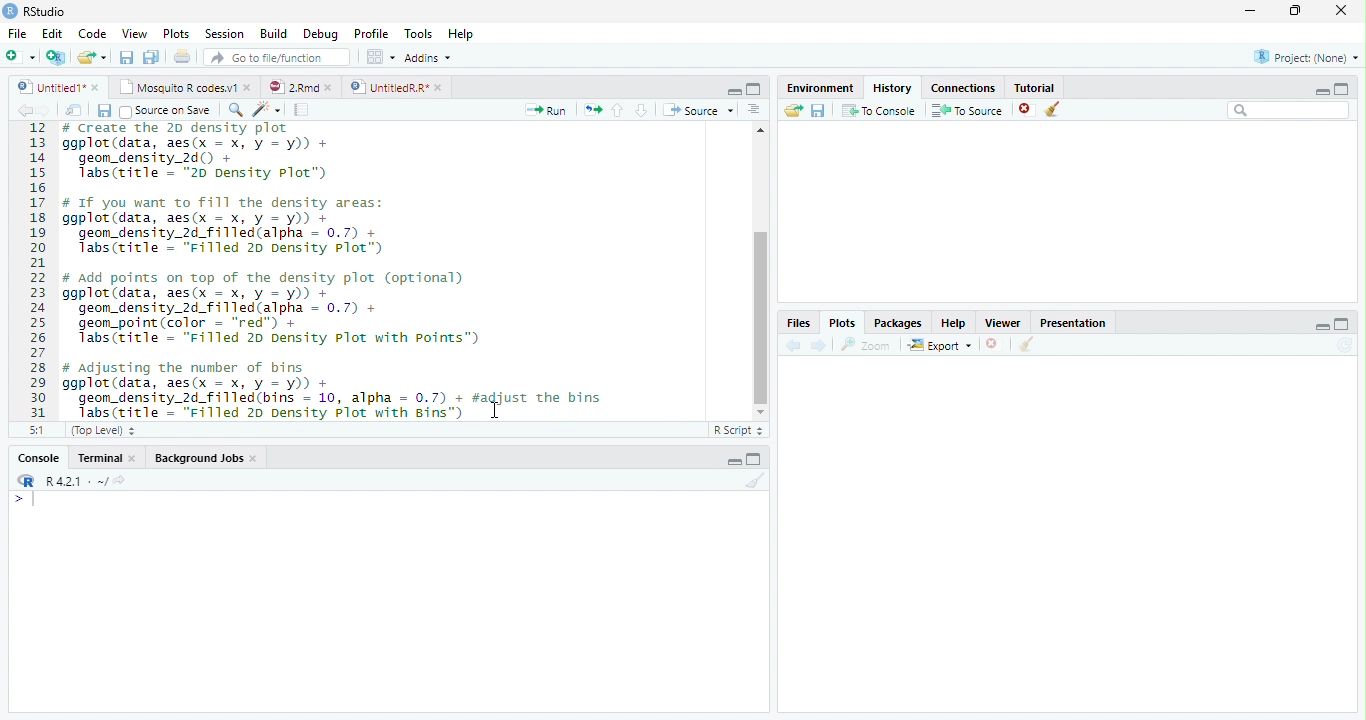 Image resolution: width=1366 pixels, height=720 pixels. What do you see at coordinates (754, 88) in the screenshot?
I see `maximize` at bounding box center [754, 88].